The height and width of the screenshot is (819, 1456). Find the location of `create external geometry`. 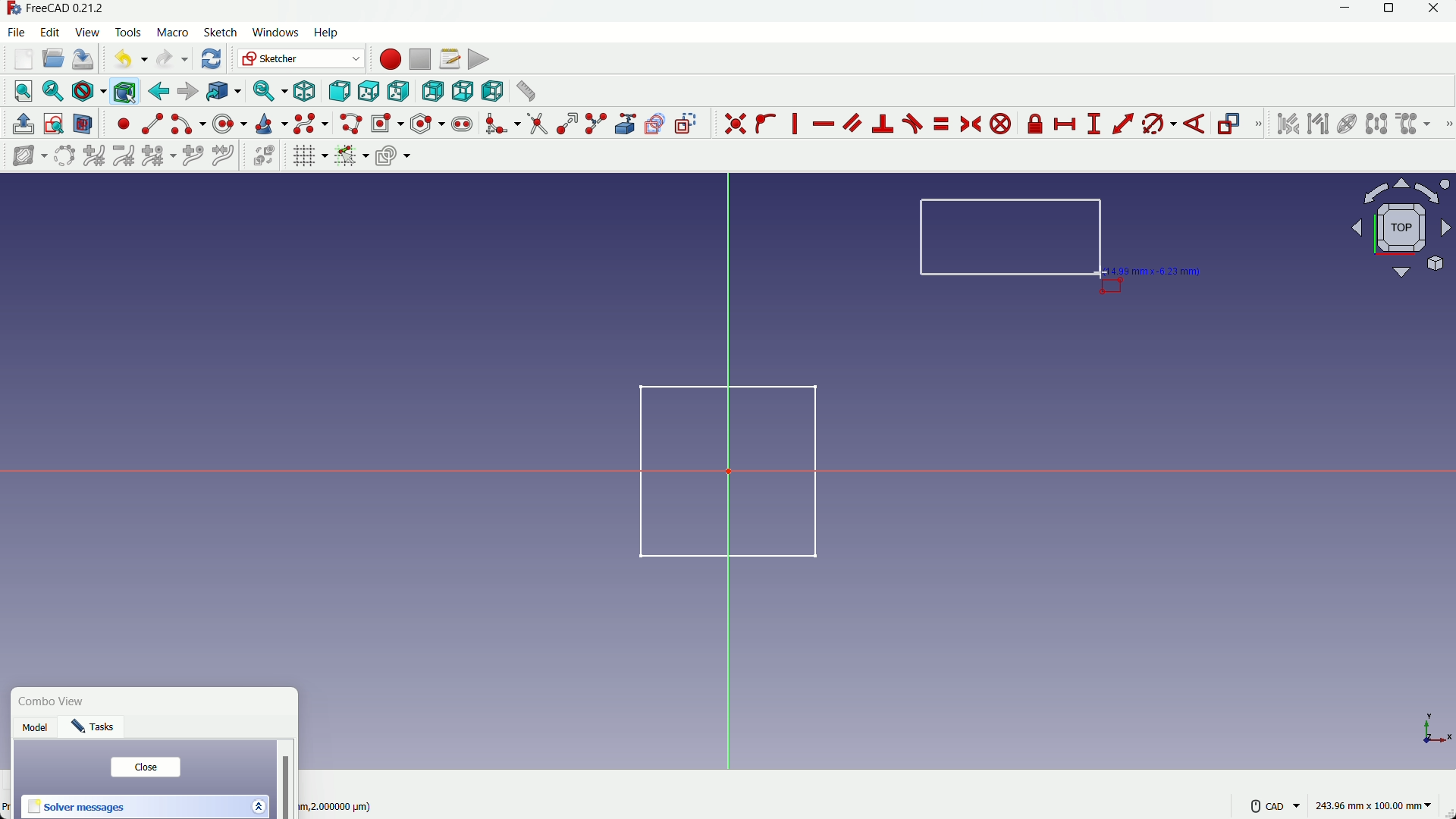

create external geometry is located at coordinates (627, 124).